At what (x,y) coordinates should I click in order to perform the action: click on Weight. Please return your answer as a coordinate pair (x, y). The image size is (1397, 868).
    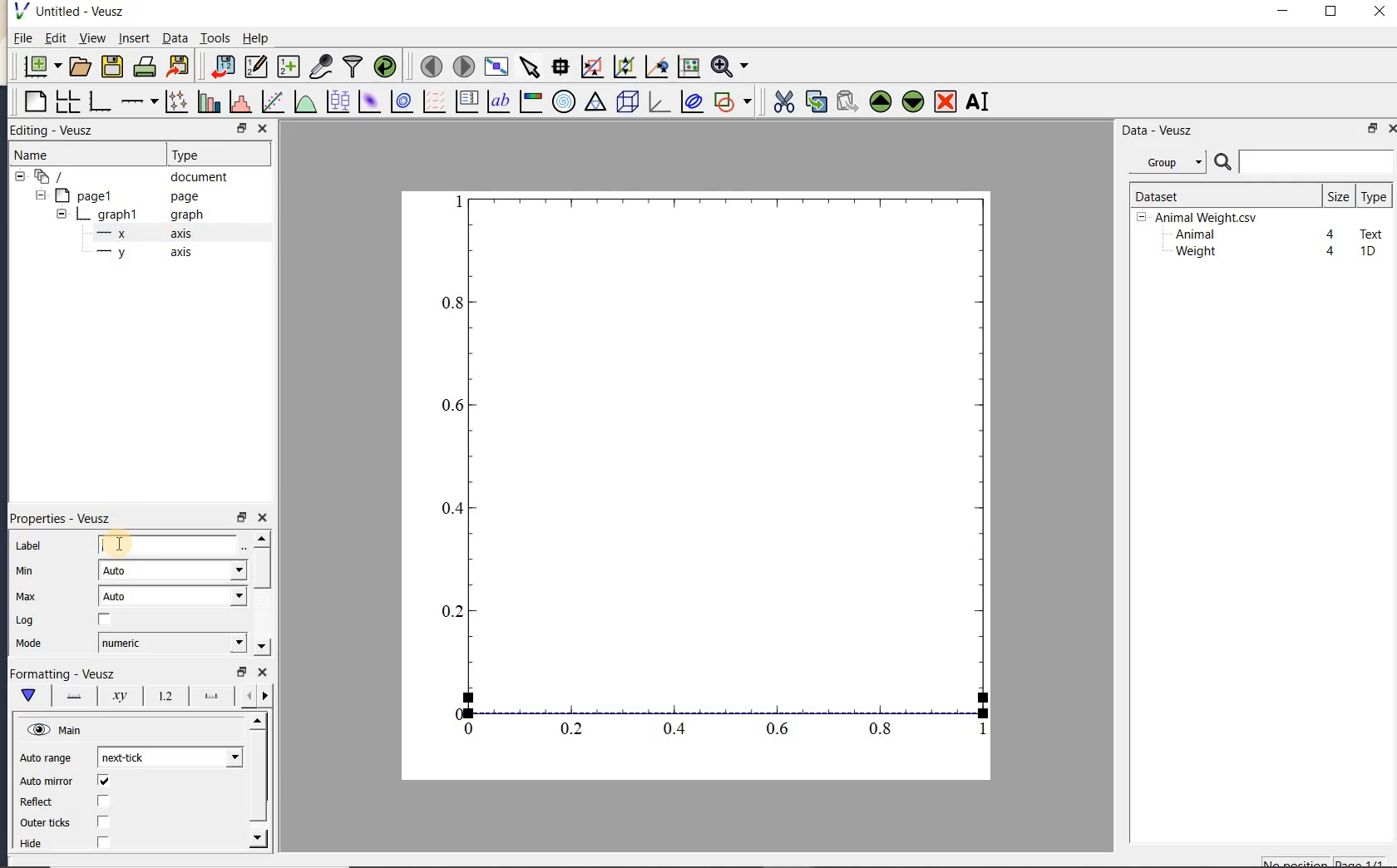
    Looking at the image, I should click on (1194, 253).